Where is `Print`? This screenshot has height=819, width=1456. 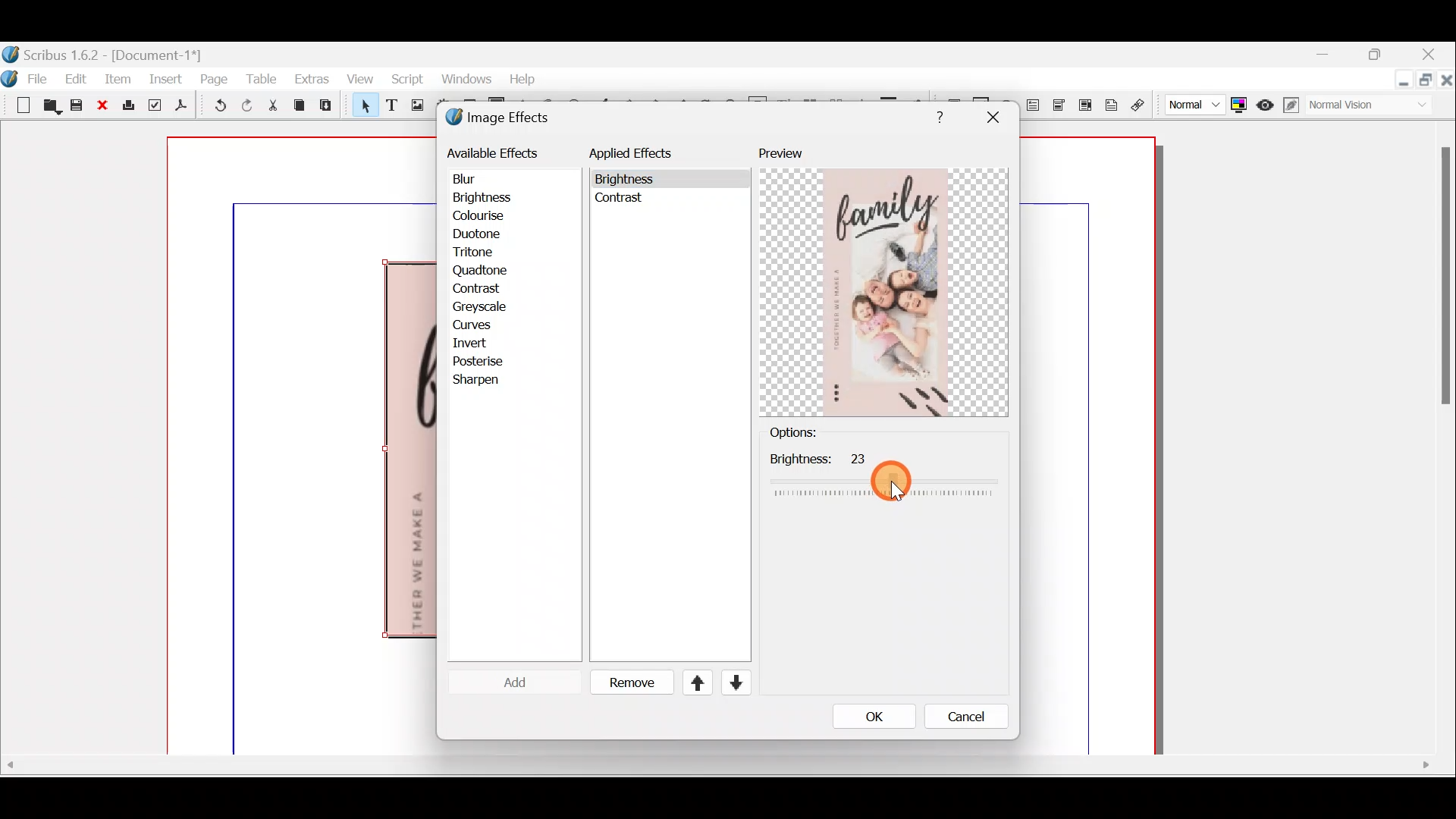 Print is located at coordinates (127, 106).